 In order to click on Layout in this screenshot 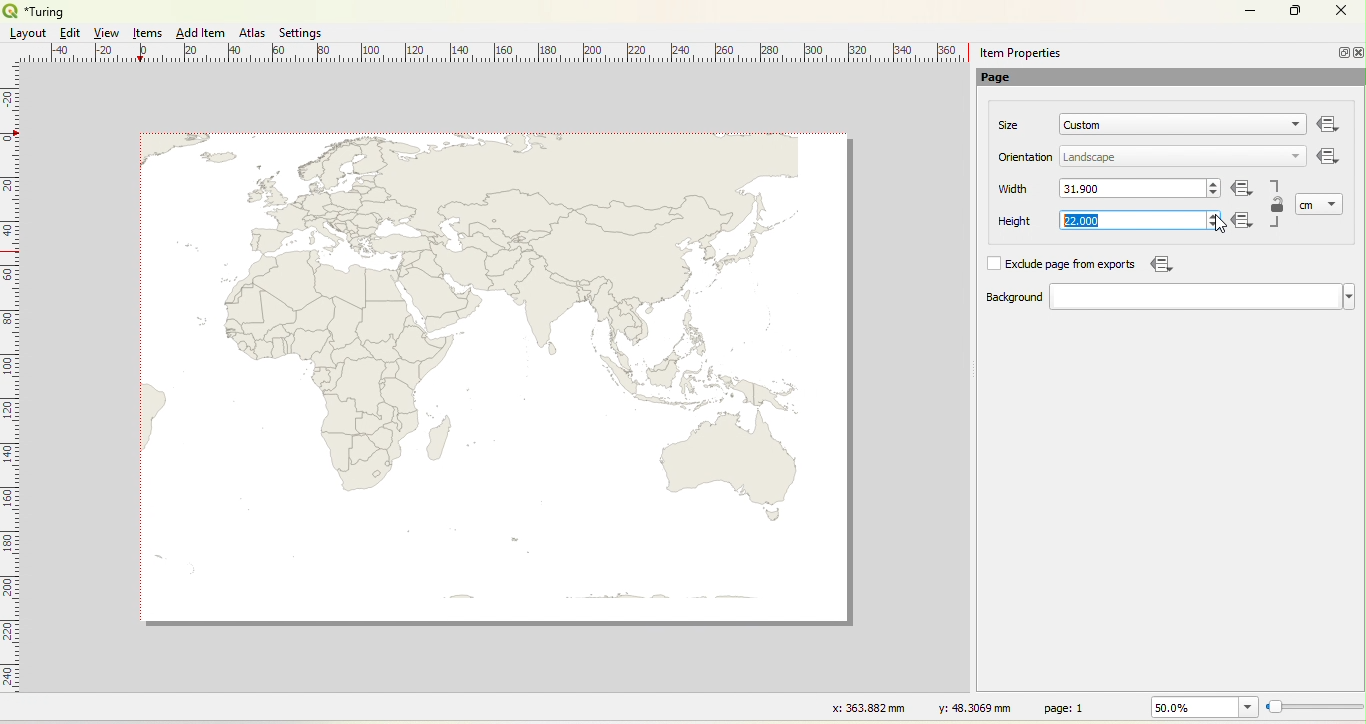, I will do `click(28, 33)`.